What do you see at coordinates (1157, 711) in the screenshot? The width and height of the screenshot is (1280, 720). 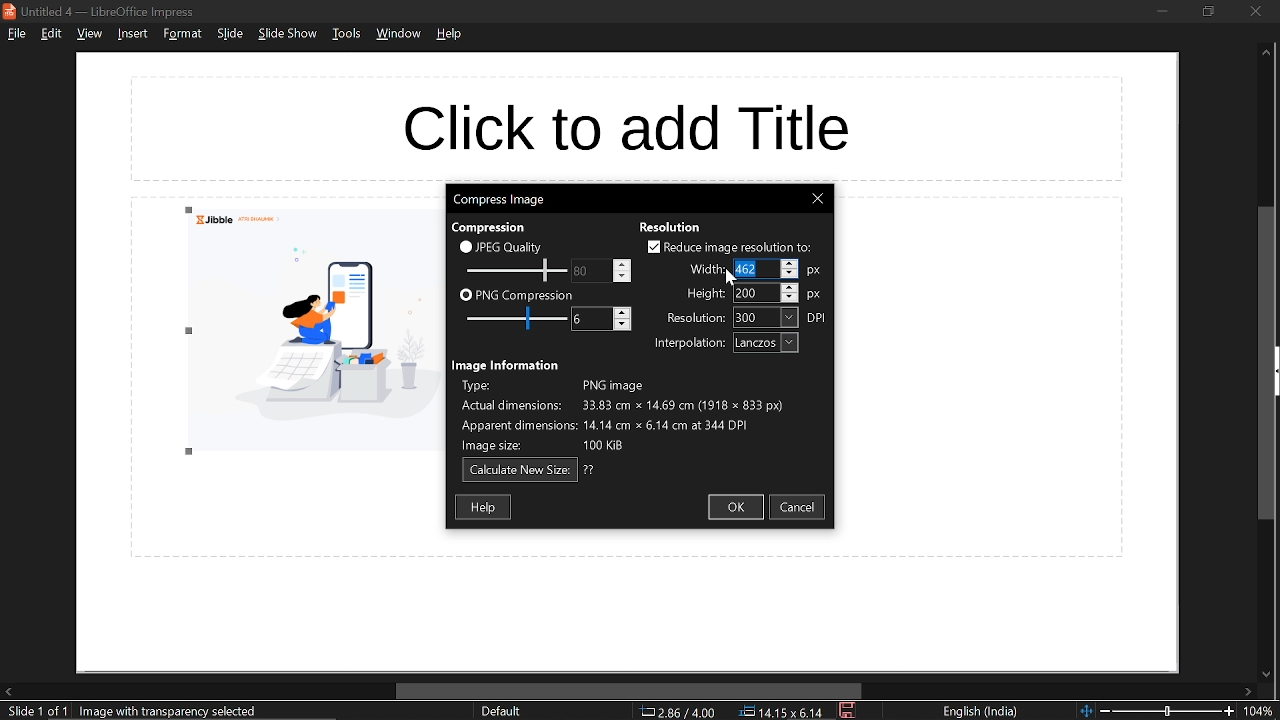 I see `change zoom` at bounding box center [1157, 711].